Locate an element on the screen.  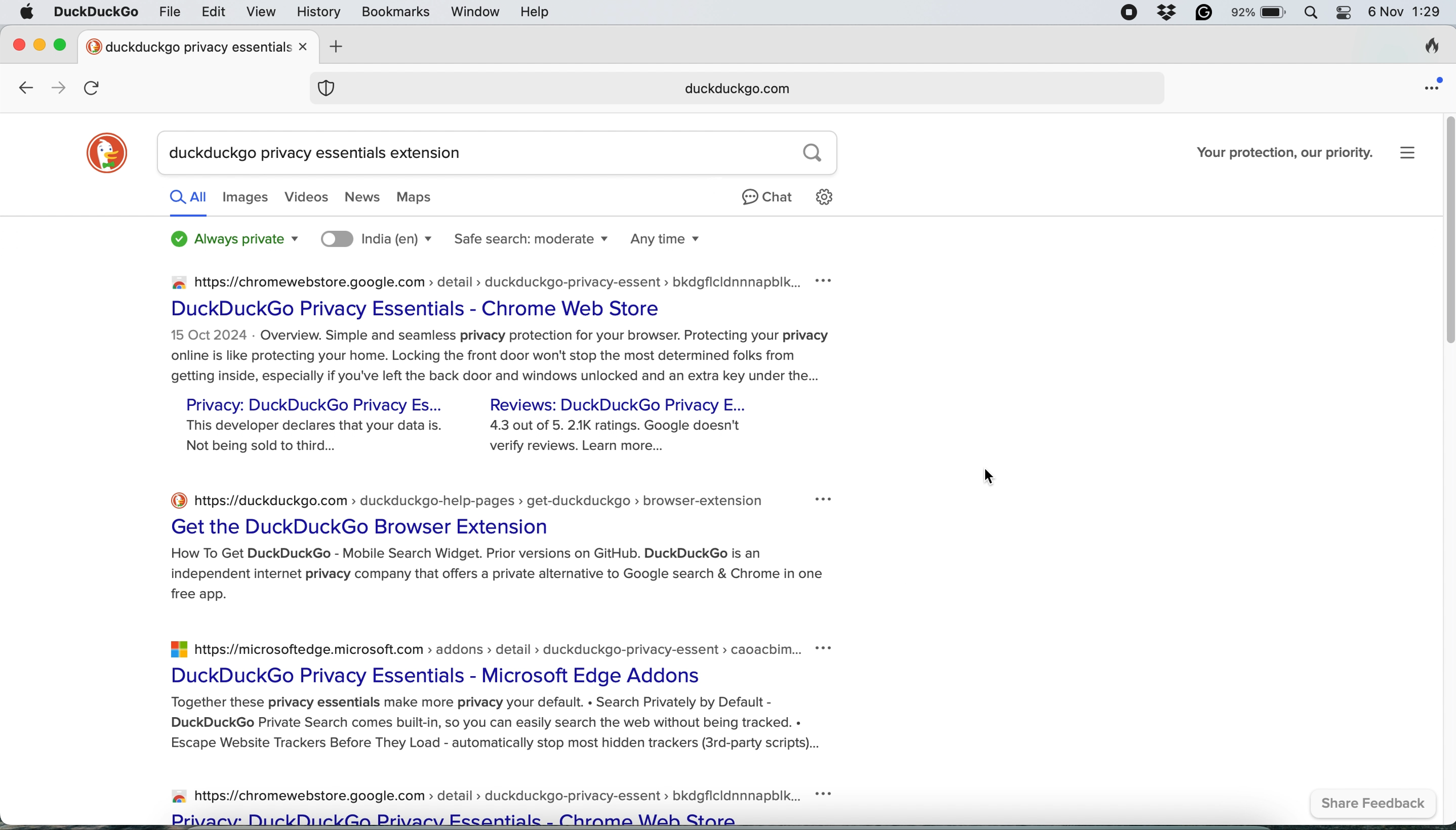
add new tab is located at coordinates (339, 48).